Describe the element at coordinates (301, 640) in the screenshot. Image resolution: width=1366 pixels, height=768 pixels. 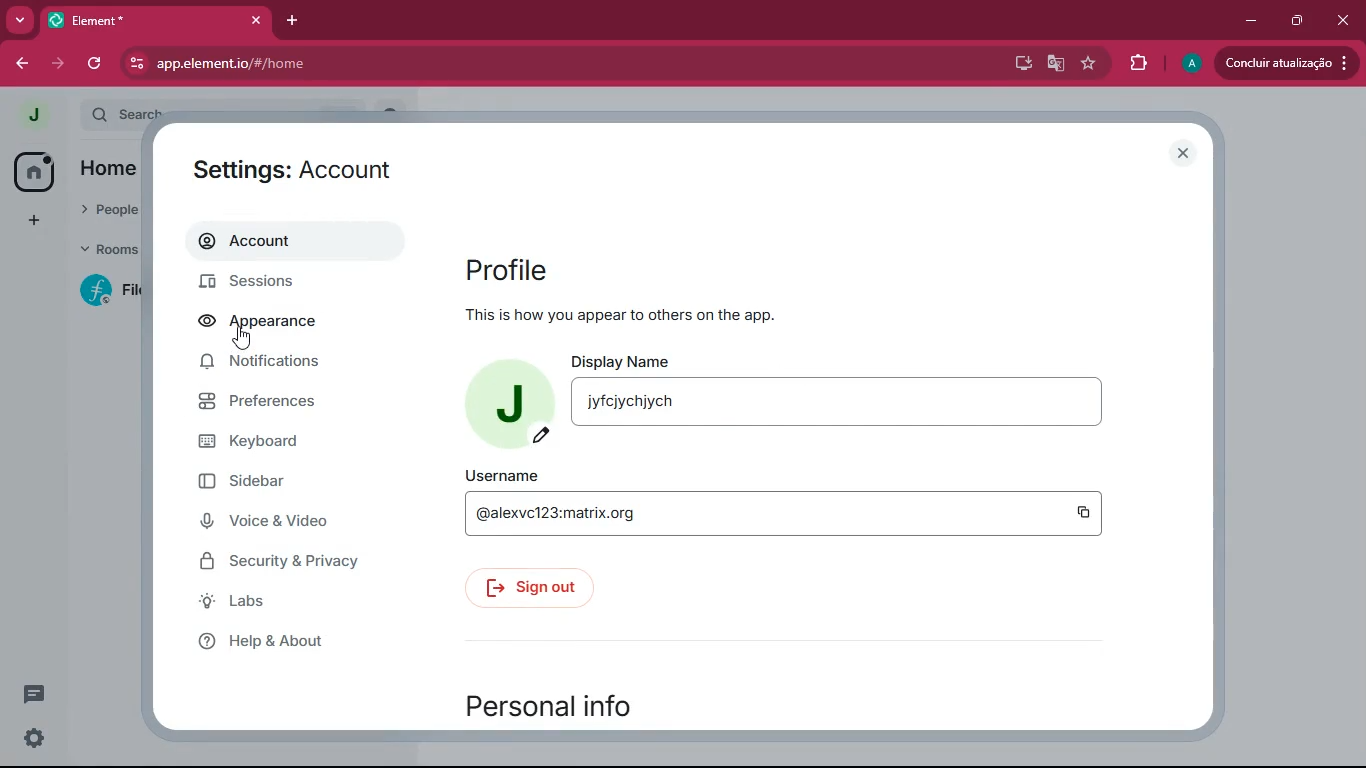
I see `help` at that location.